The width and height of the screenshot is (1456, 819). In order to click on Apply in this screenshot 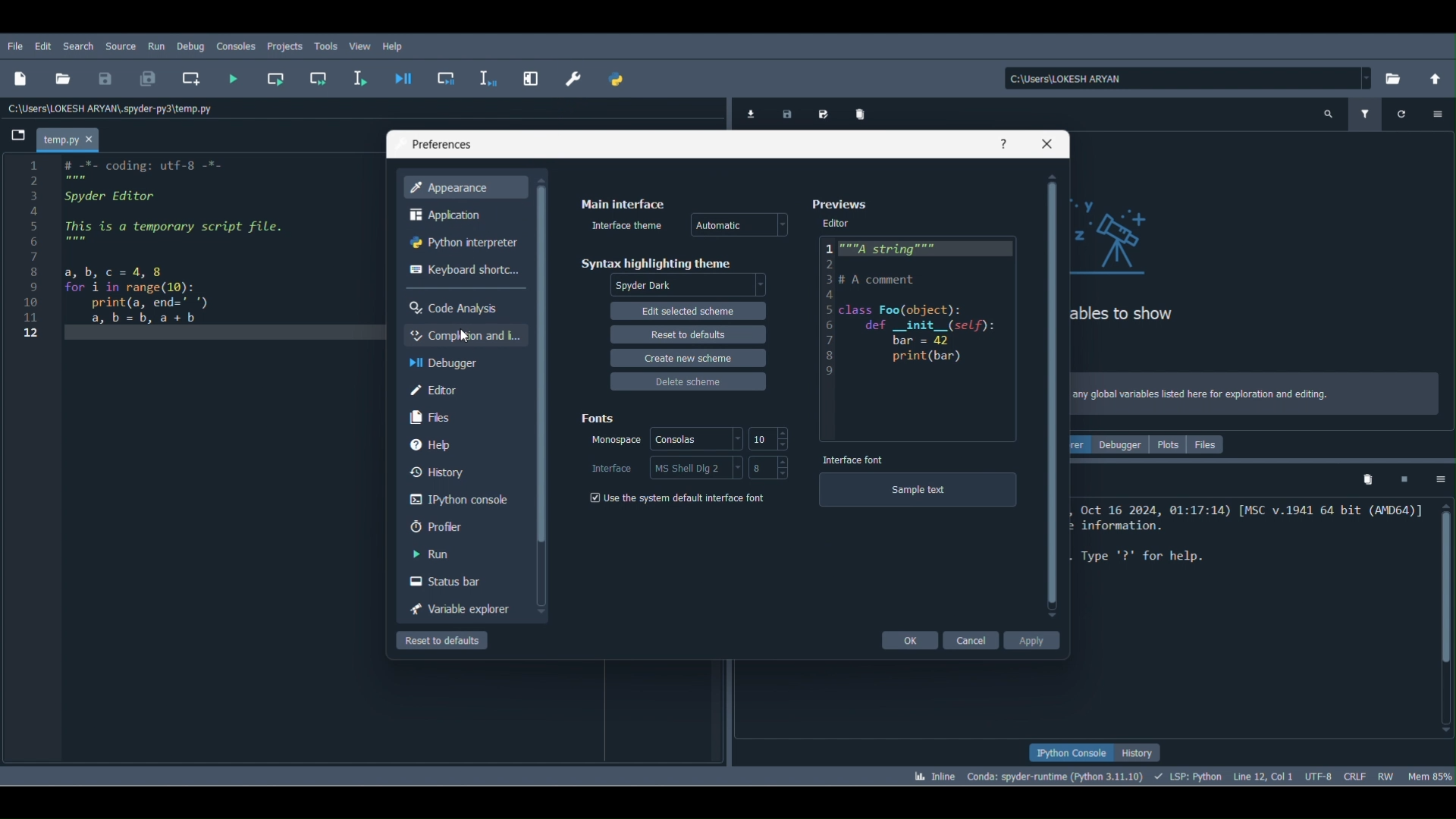, I will do `click(1034, 642)`.